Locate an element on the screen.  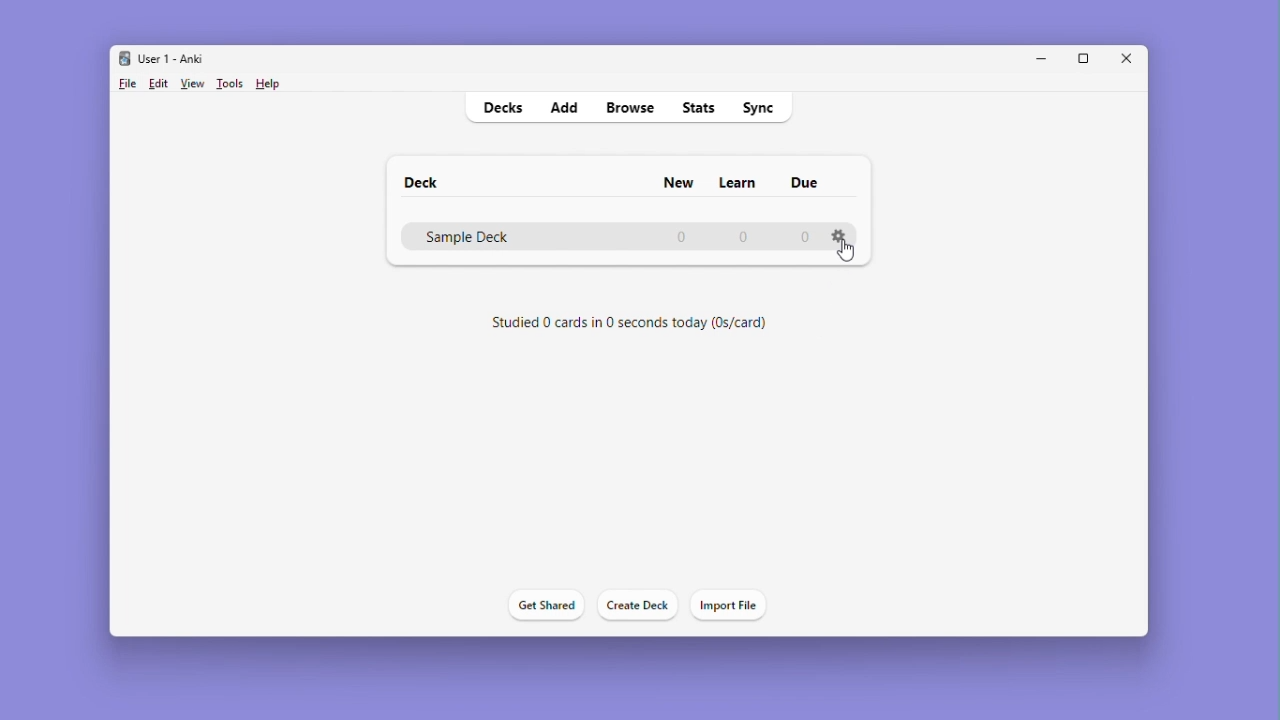
deck is located at coordinates (424, 181).